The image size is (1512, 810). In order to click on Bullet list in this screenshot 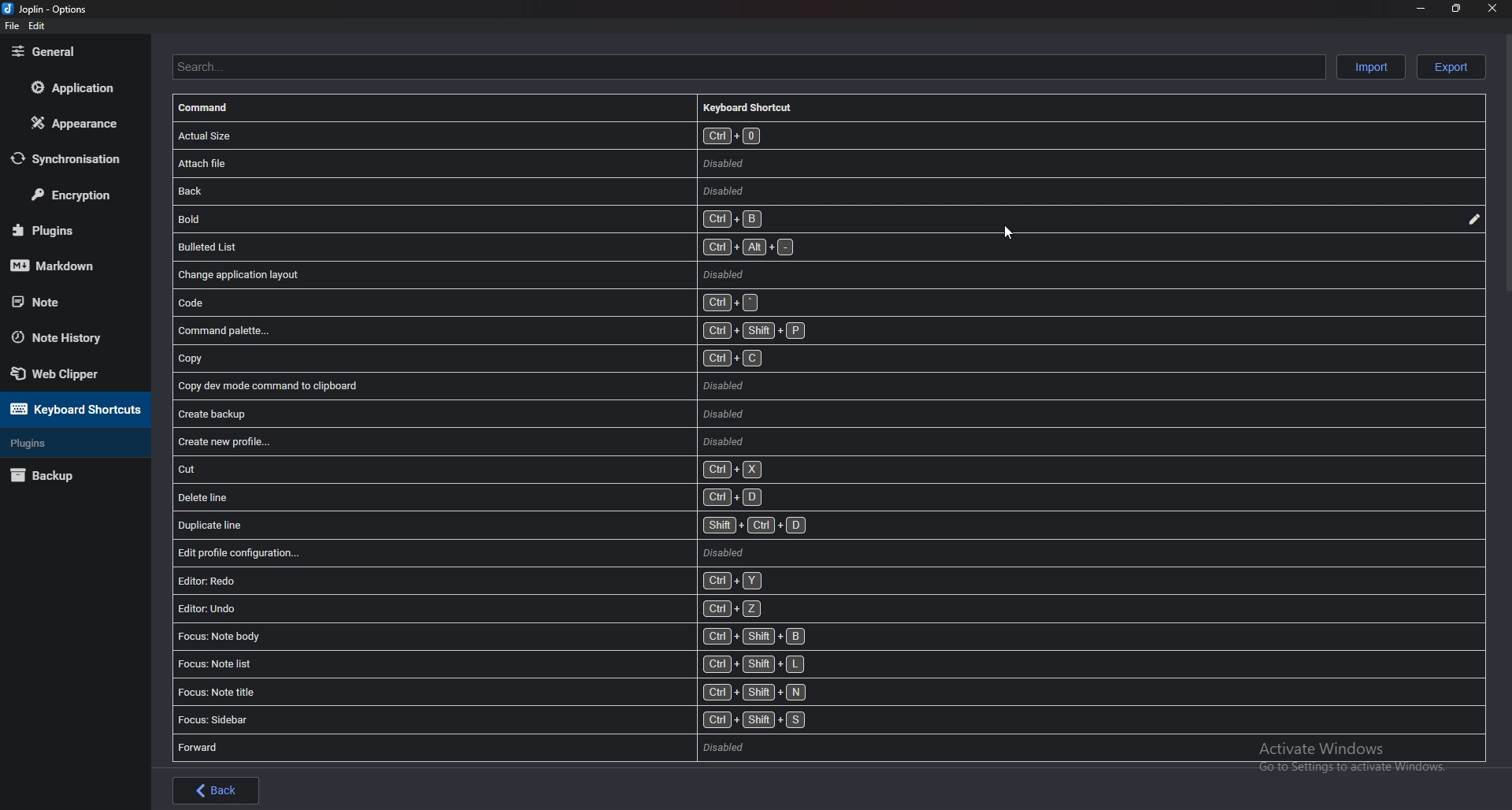, I will do `click(489, 247)`.